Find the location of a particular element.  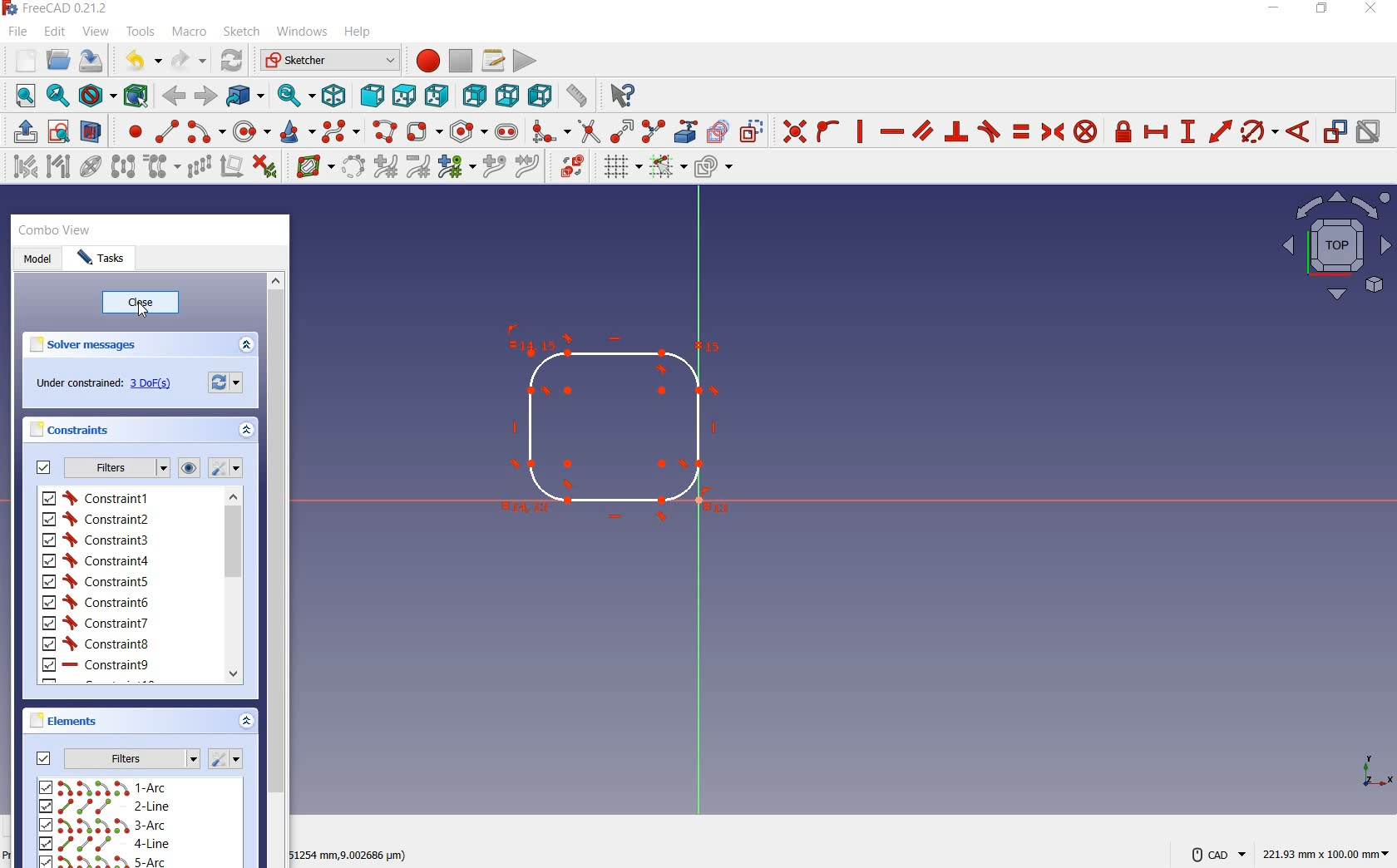

symmetry is located at coordinates (125, 167).